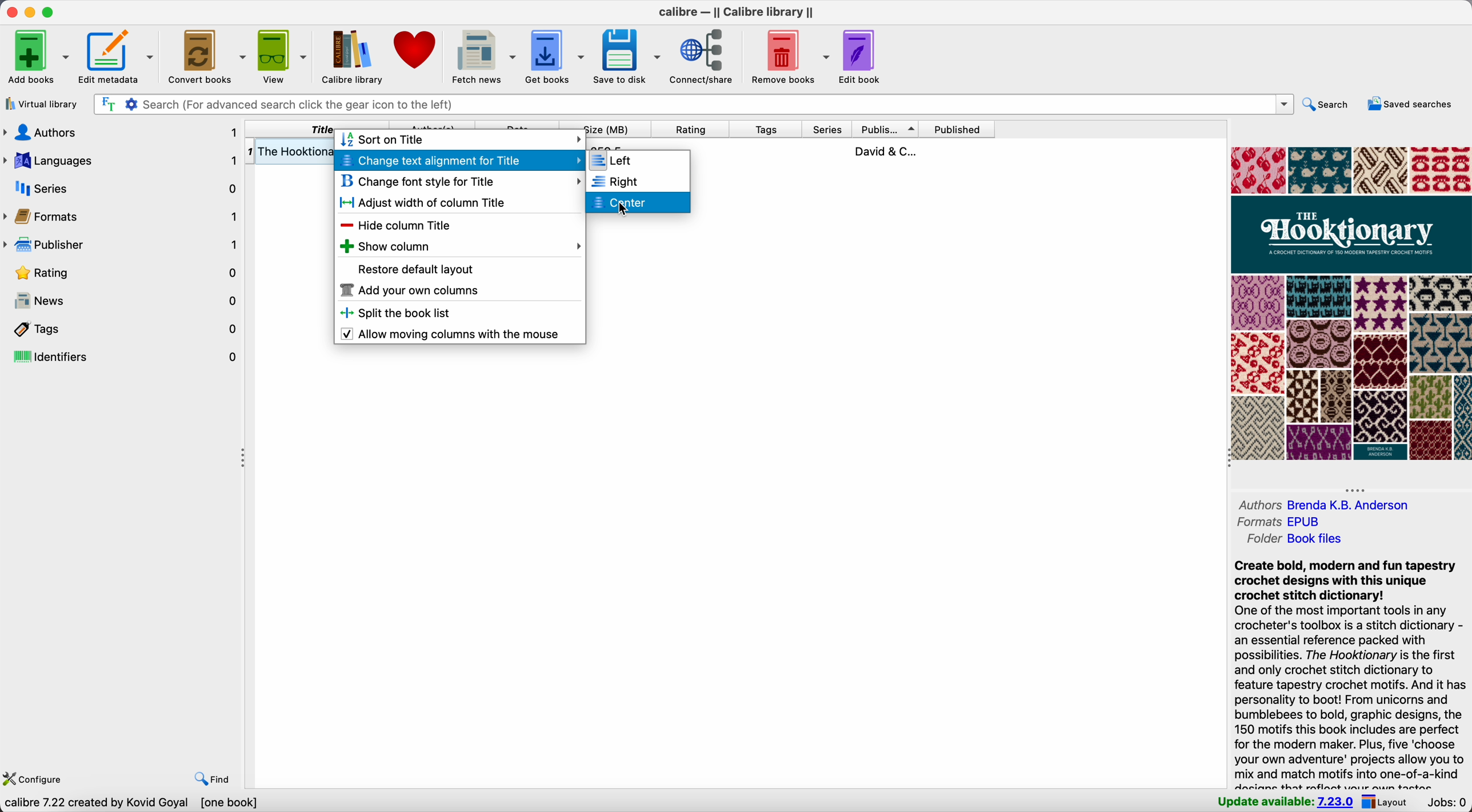 The width and height of the screenshot is (1472, 812). Describe the element at coordinates (459, 161) in the screenshot. I see `click on change text alignment for title` at that location.